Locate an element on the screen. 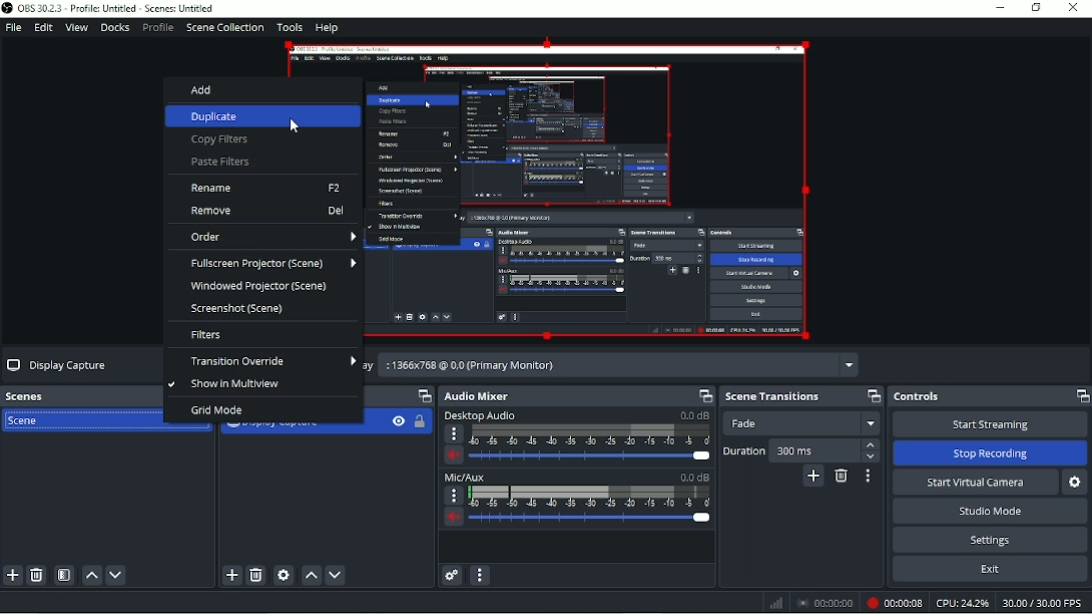 The height and width of the screenshot is (614, 1092). Scale is located at coordinates (591, 434).